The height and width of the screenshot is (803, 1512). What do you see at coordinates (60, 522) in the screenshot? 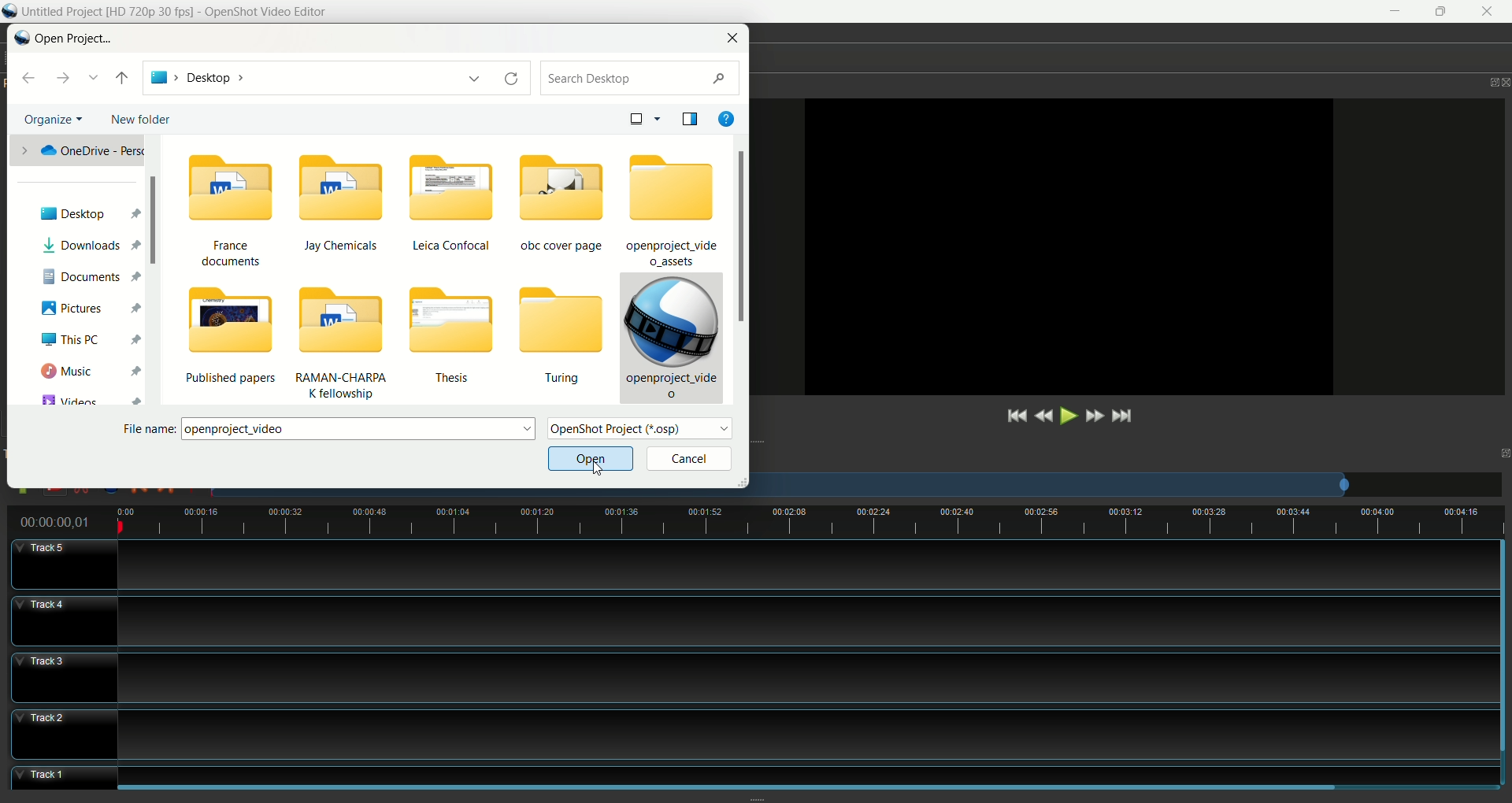
I see `time` at bounding box center [60, 522].